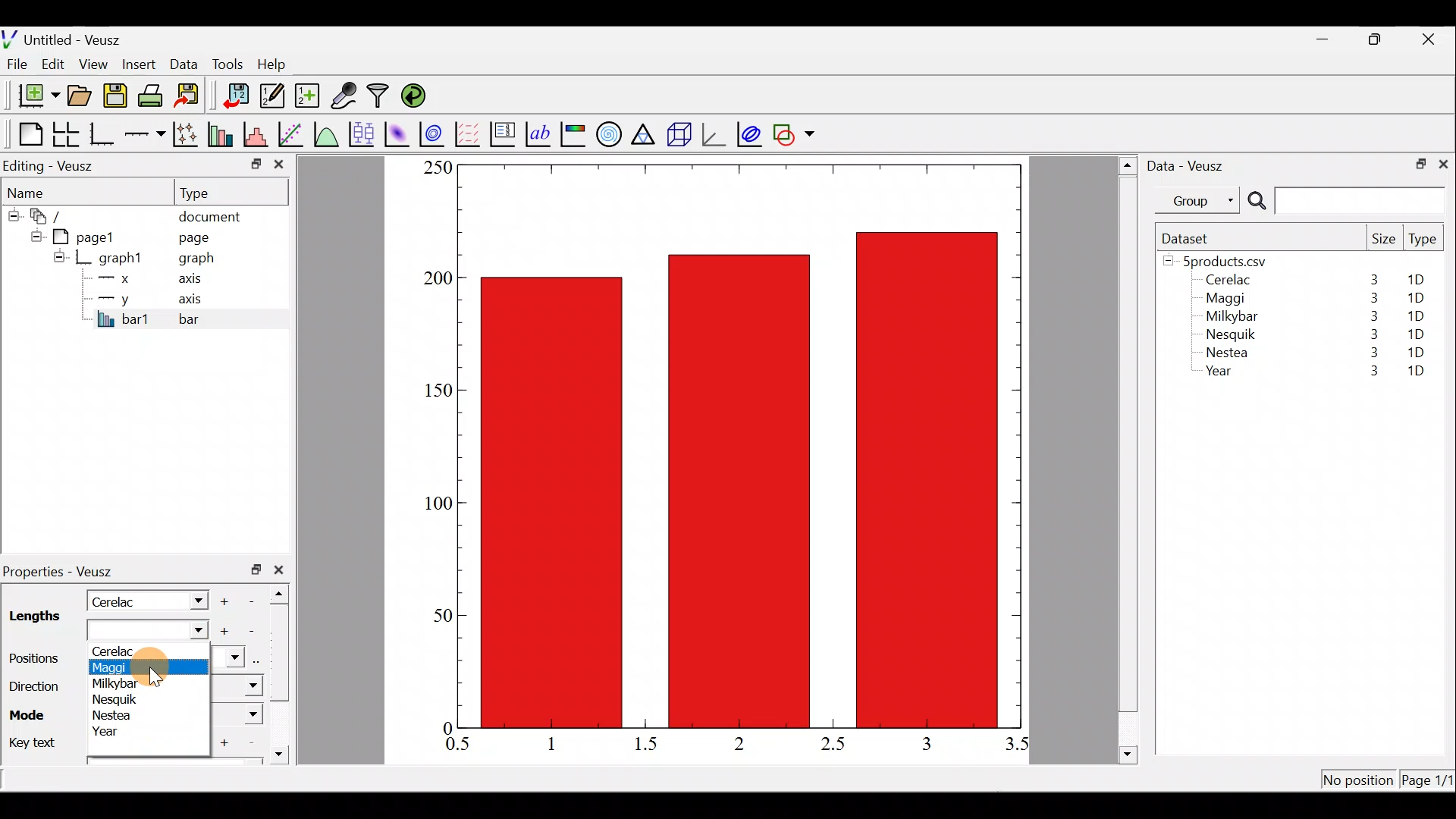 The height and width of the screenshot is (819, 1456). Describe the element at coordinates (118, 600) in the screenshot. I see `Cerelac` at that location.